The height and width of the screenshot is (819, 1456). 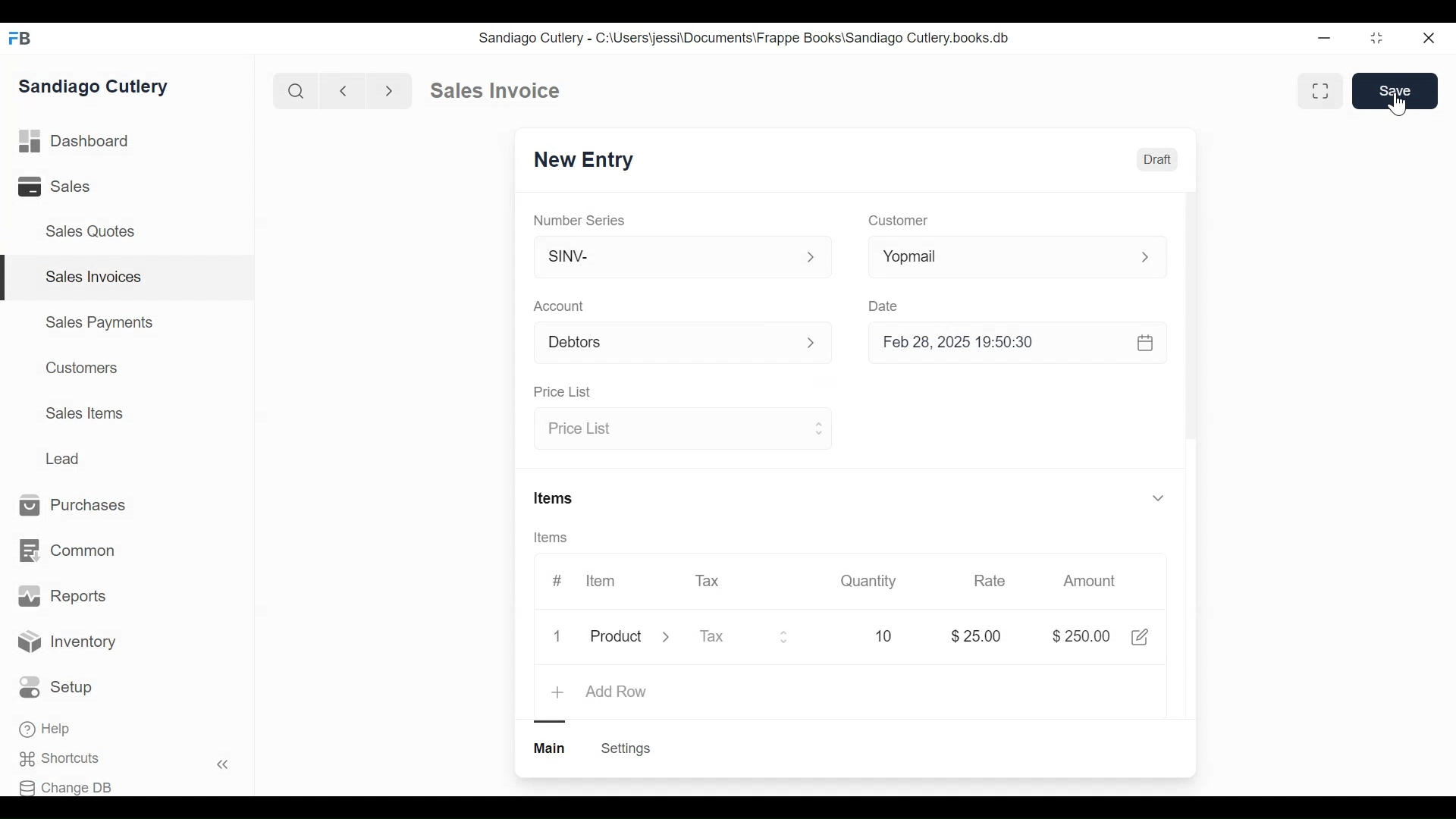 What do you see at coordinates (98, 86) in the screenshot?
I see `Sandiago Cutlery` at bounding box center [98, 86].